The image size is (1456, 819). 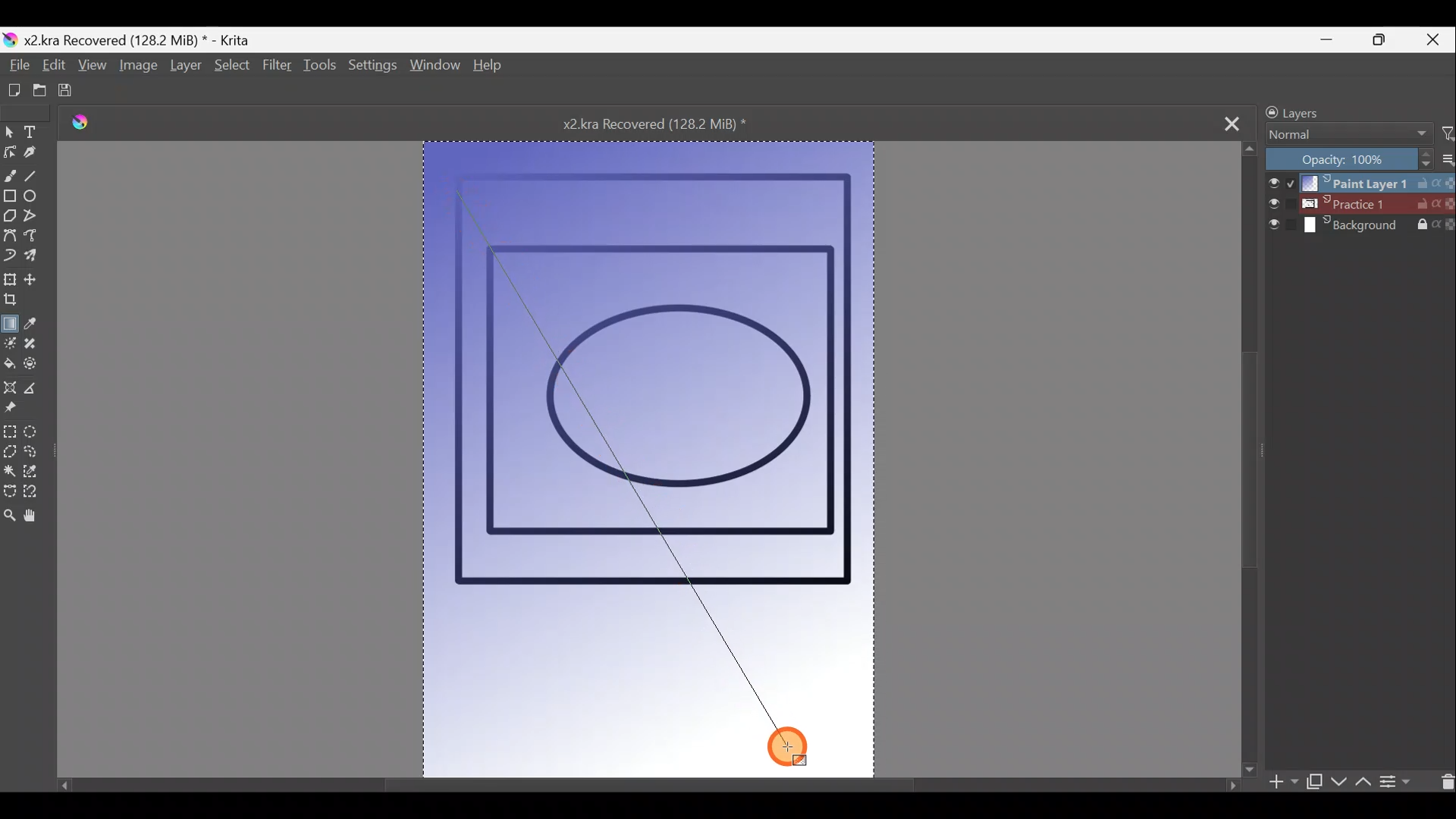 What do you see at coordinates (35, 519) in the screenshot?
I see `Pan tool` at bounding box center [35, 519].